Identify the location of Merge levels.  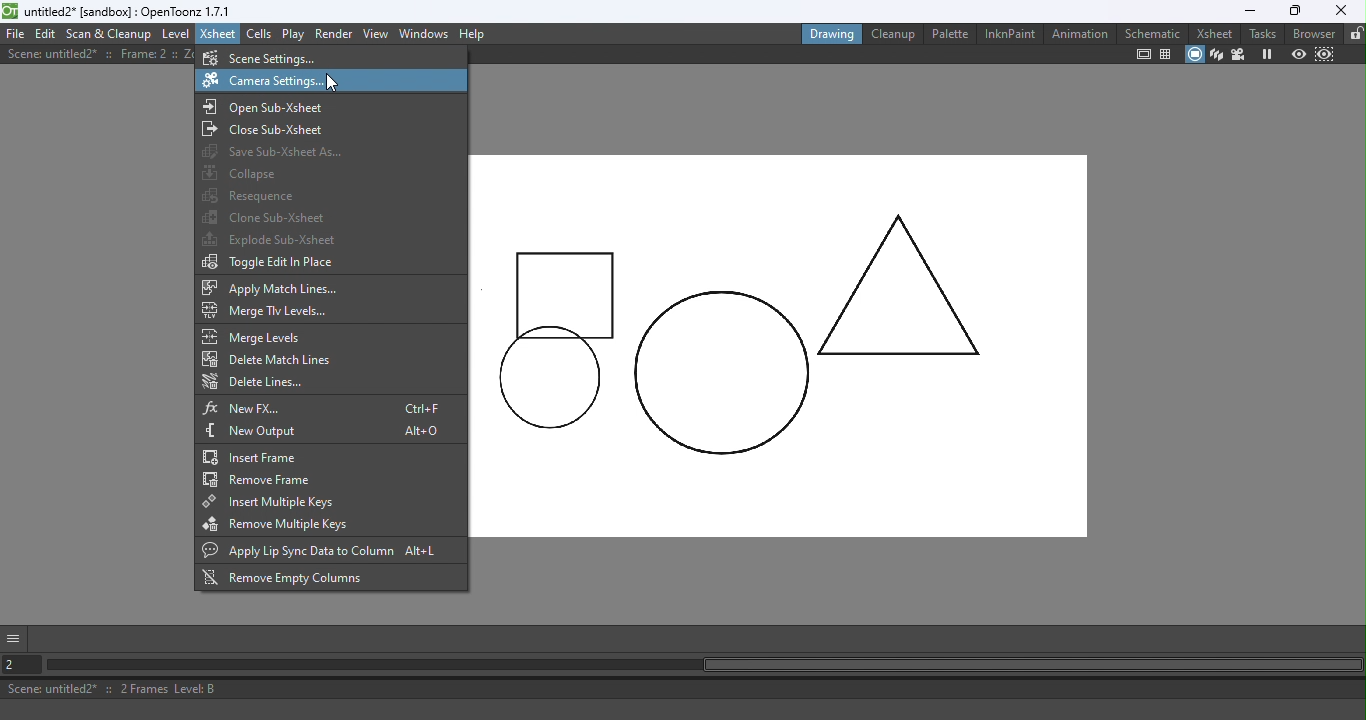
(256, 337).